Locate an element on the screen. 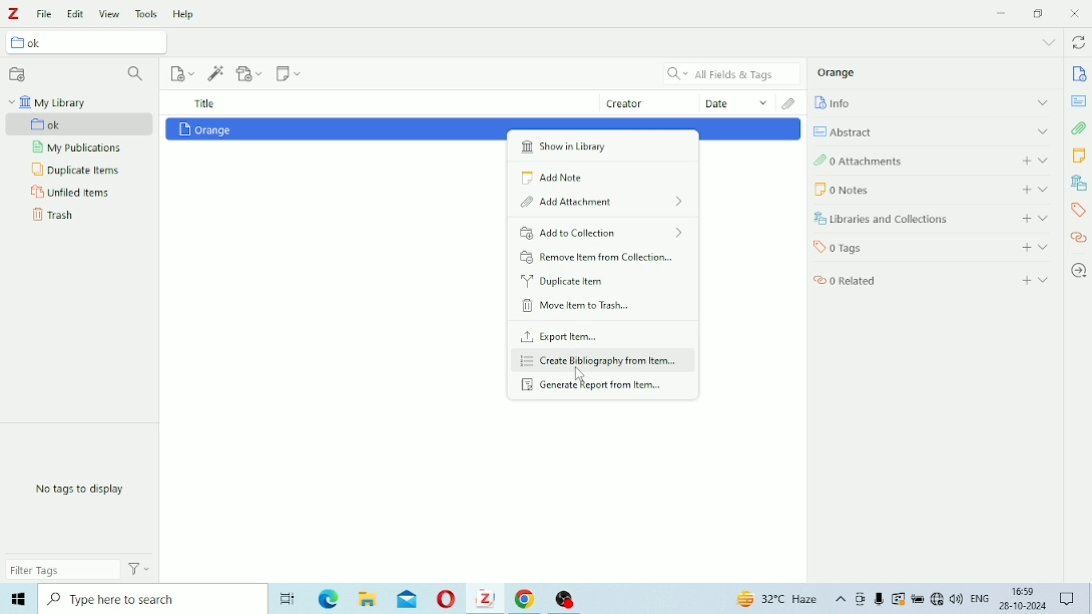  Restore down is located at coordinates (1040, 14).